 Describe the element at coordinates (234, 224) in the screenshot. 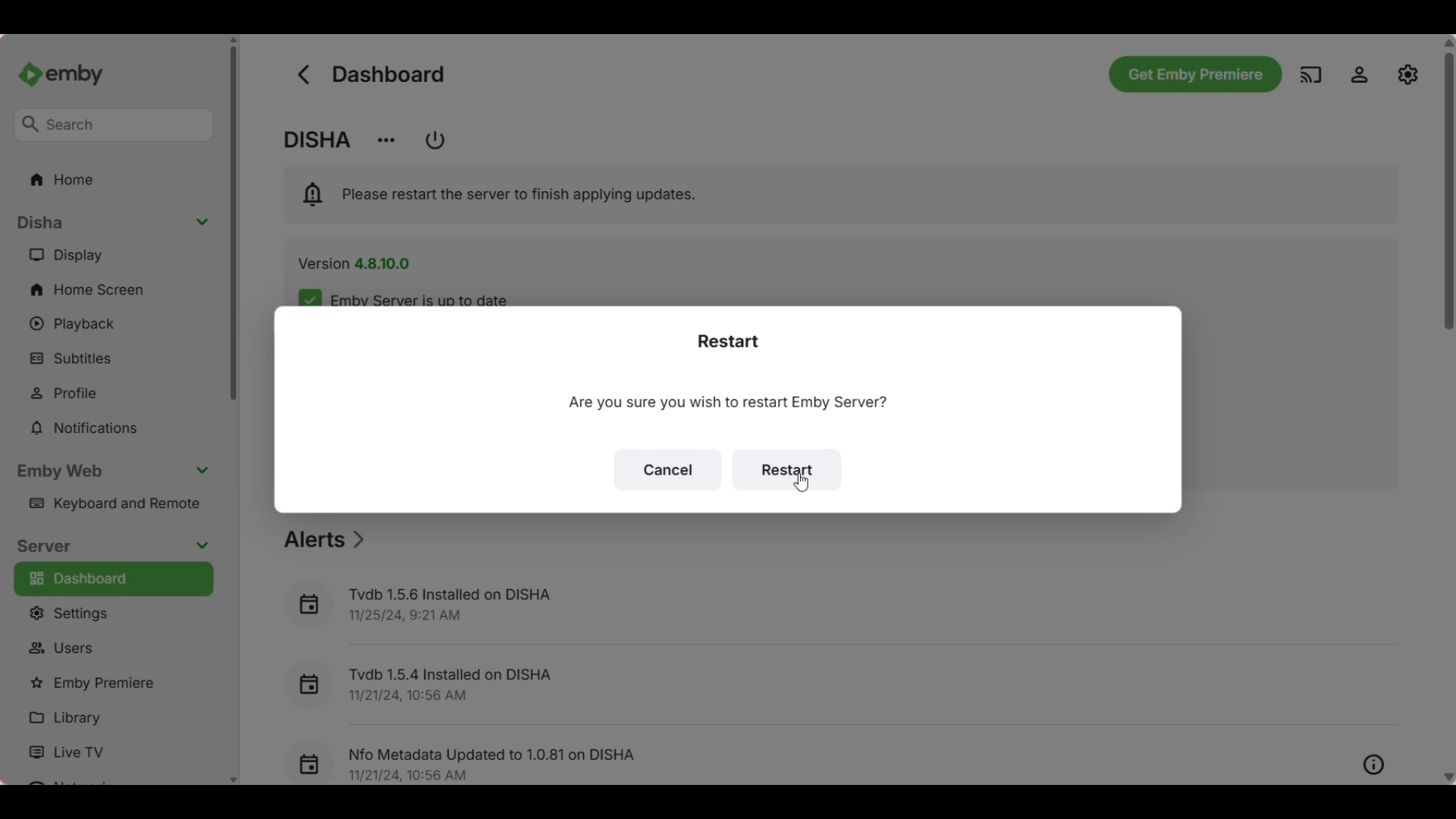

I see `Vertical slide bar for left panel` at that location.